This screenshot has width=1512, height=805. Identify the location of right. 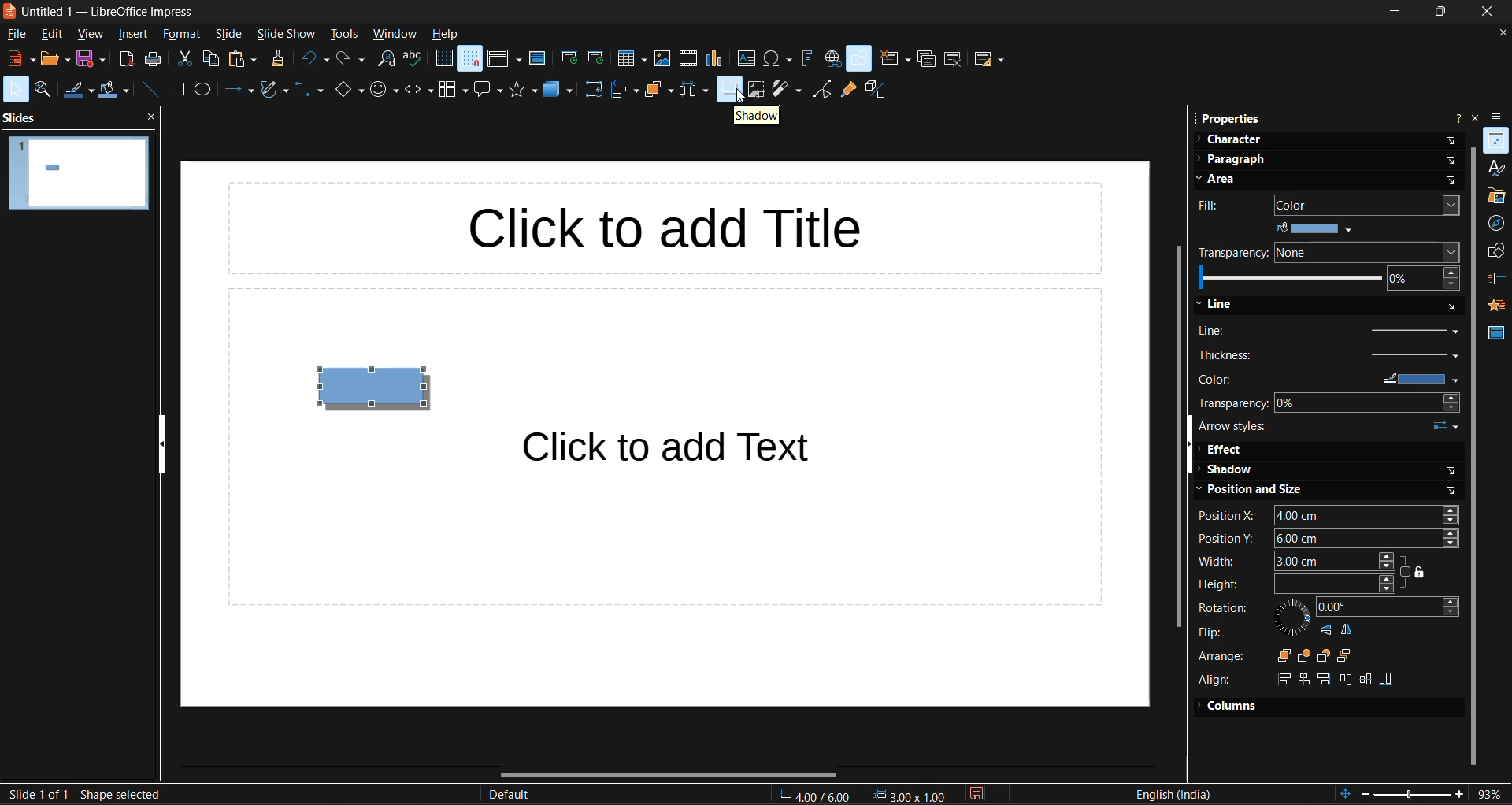
(1280, 678).